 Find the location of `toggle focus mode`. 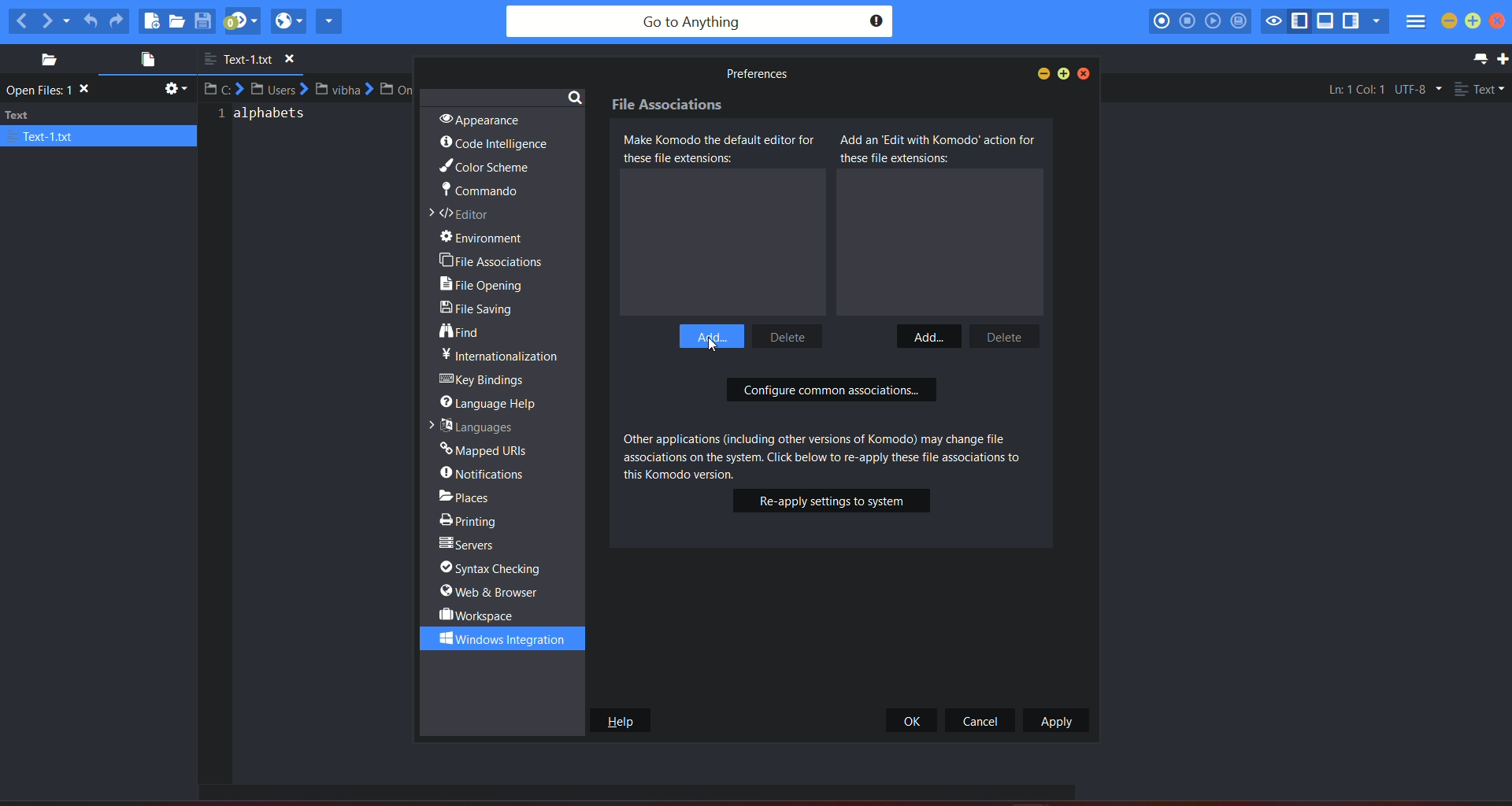

toggle focus mode is located at coordinates (1274, 20).